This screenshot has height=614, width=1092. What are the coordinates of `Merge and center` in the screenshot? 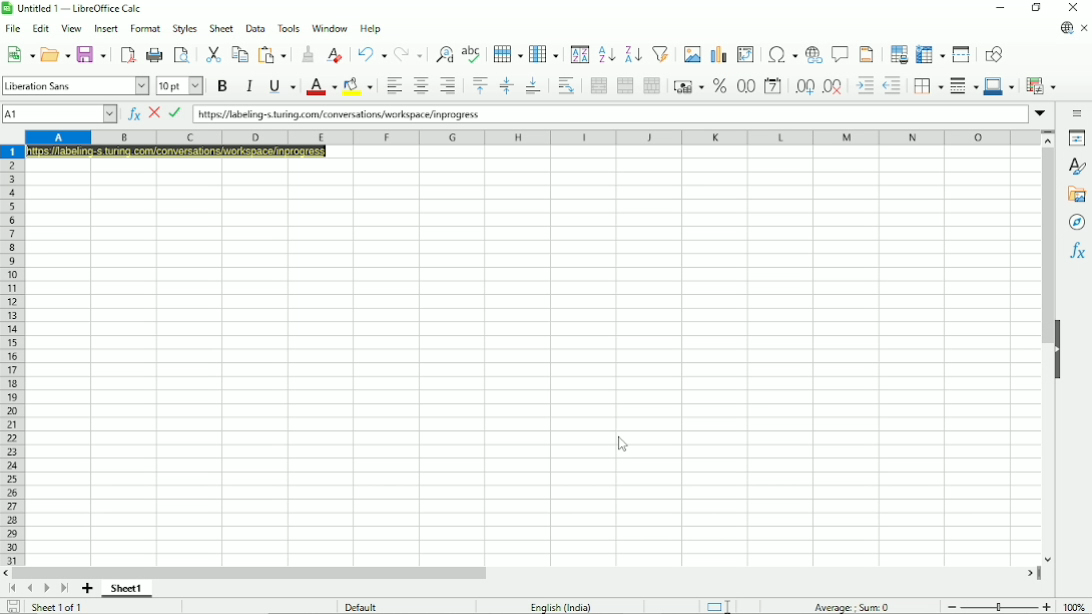 It's located at (597, 86).